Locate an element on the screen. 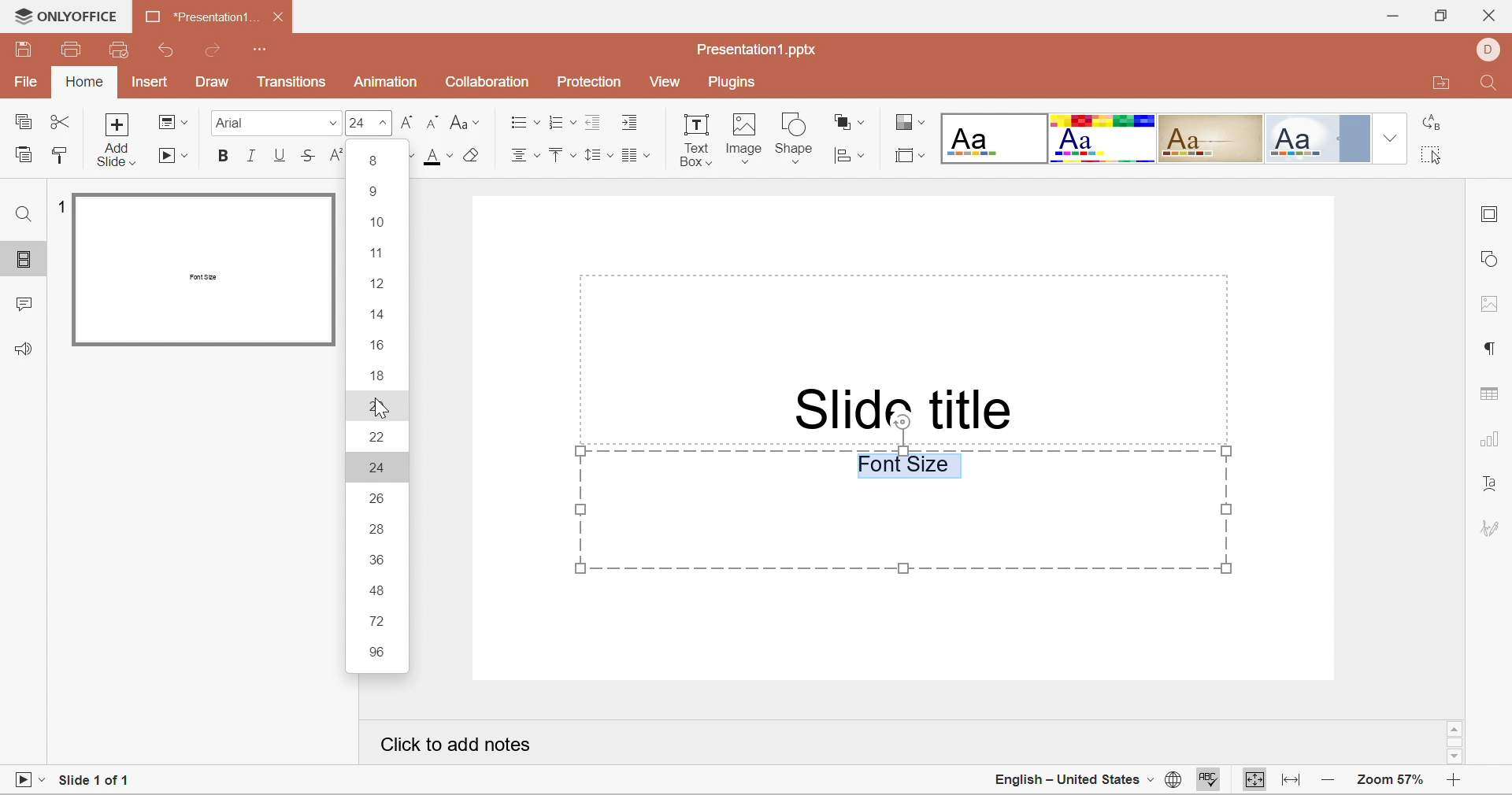  Start slideshow is located at coordinates (174, 158).